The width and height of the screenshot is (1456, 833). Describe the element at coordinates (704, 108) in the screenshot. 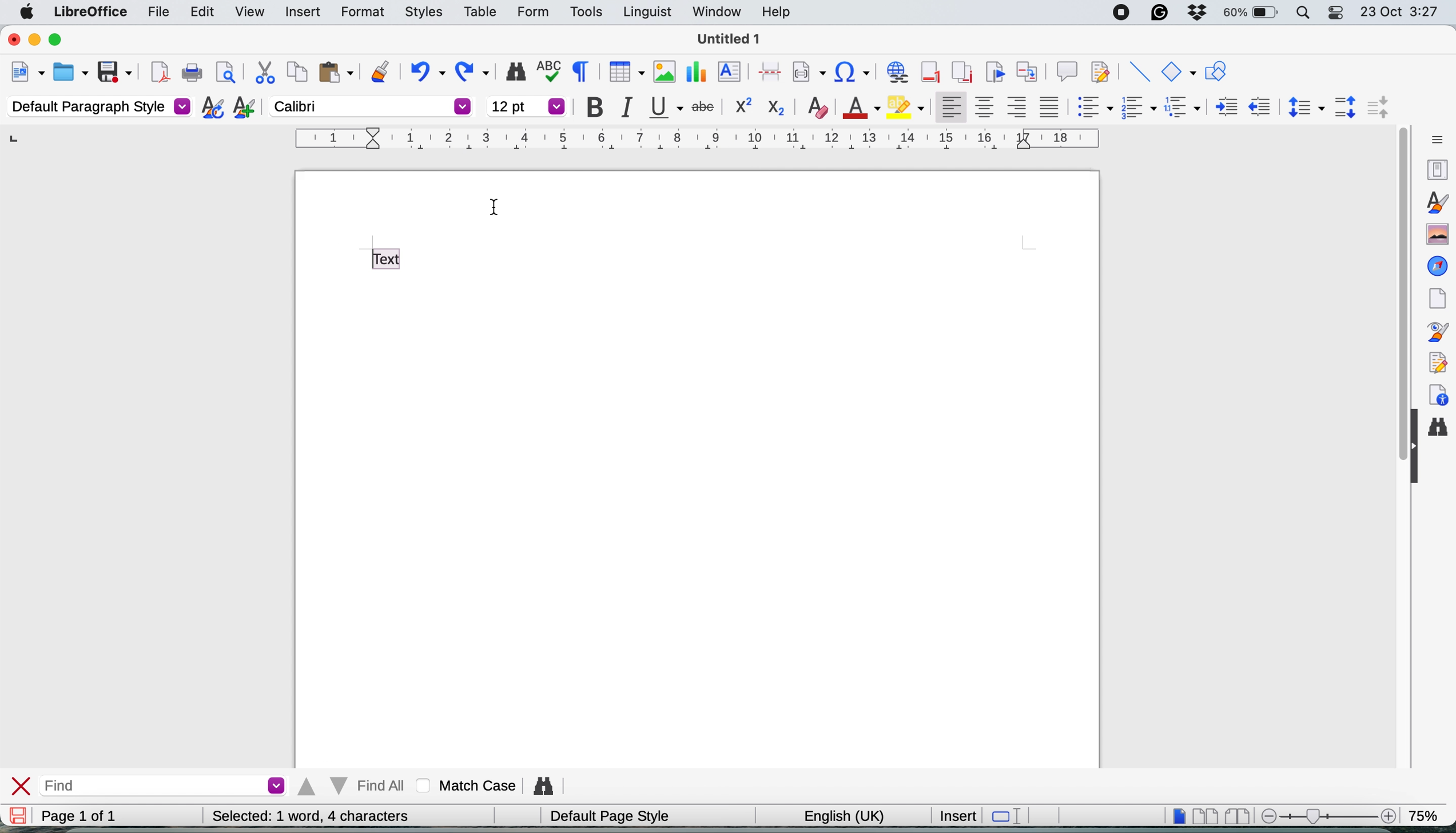

I see `strikethrough` at that location.